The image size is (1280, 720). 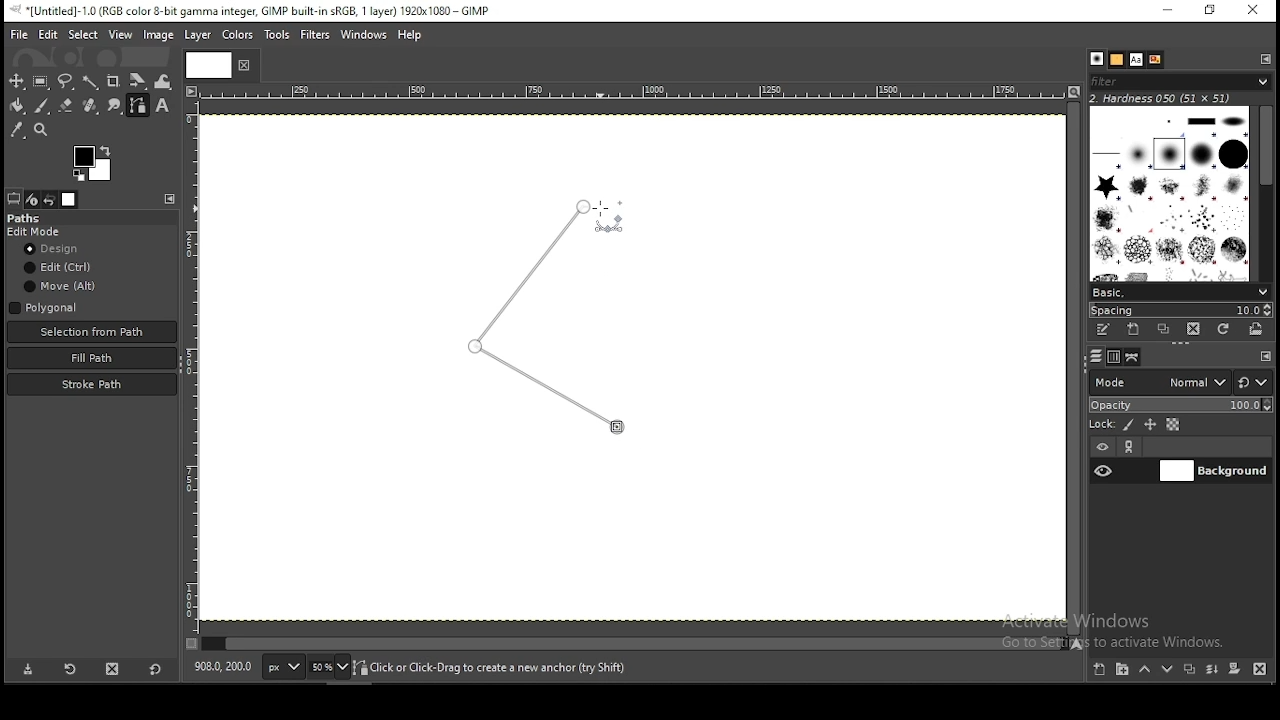 What do you see at coordinates (90, 332) in the screenshot?
I see `selection from path` at bounding box center [90, 332].